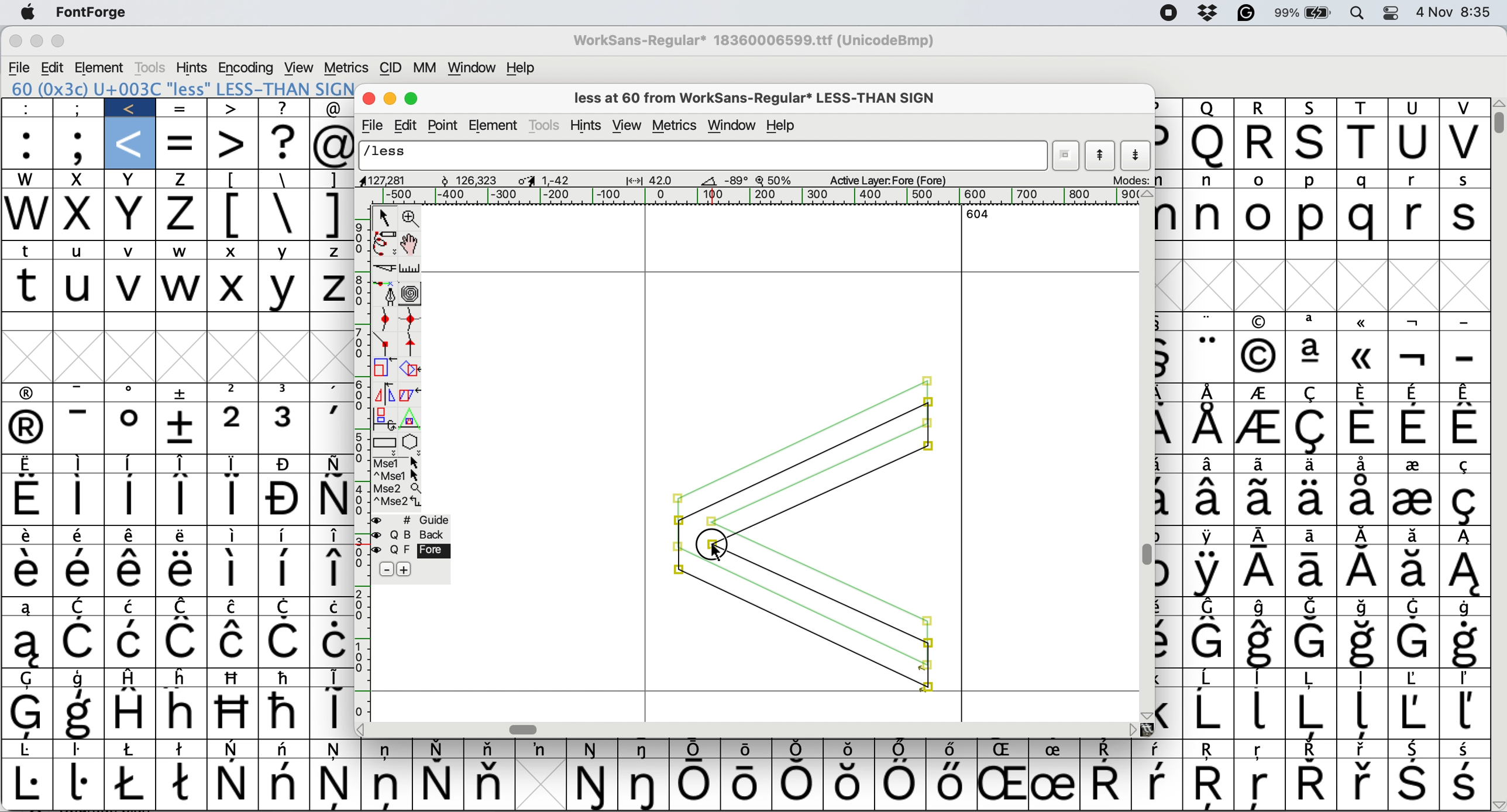 This screenshot has height=812, width=1507. What do you see at coordinates (135, 749) in the screenshot?
I see `Symbol` at bounding box center [135, 749].